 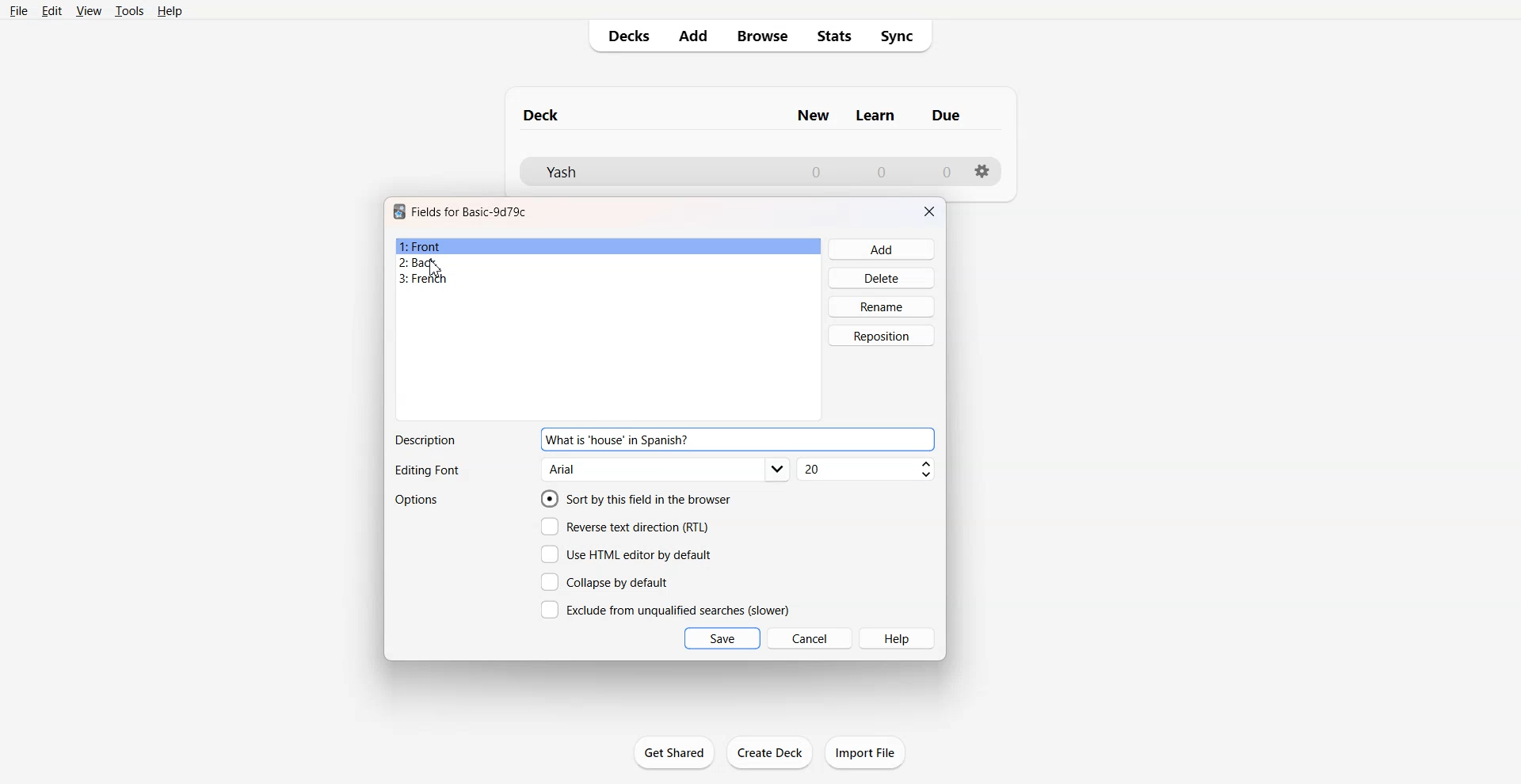 I want to click on Number of due cards, so click(x=947, y=172).